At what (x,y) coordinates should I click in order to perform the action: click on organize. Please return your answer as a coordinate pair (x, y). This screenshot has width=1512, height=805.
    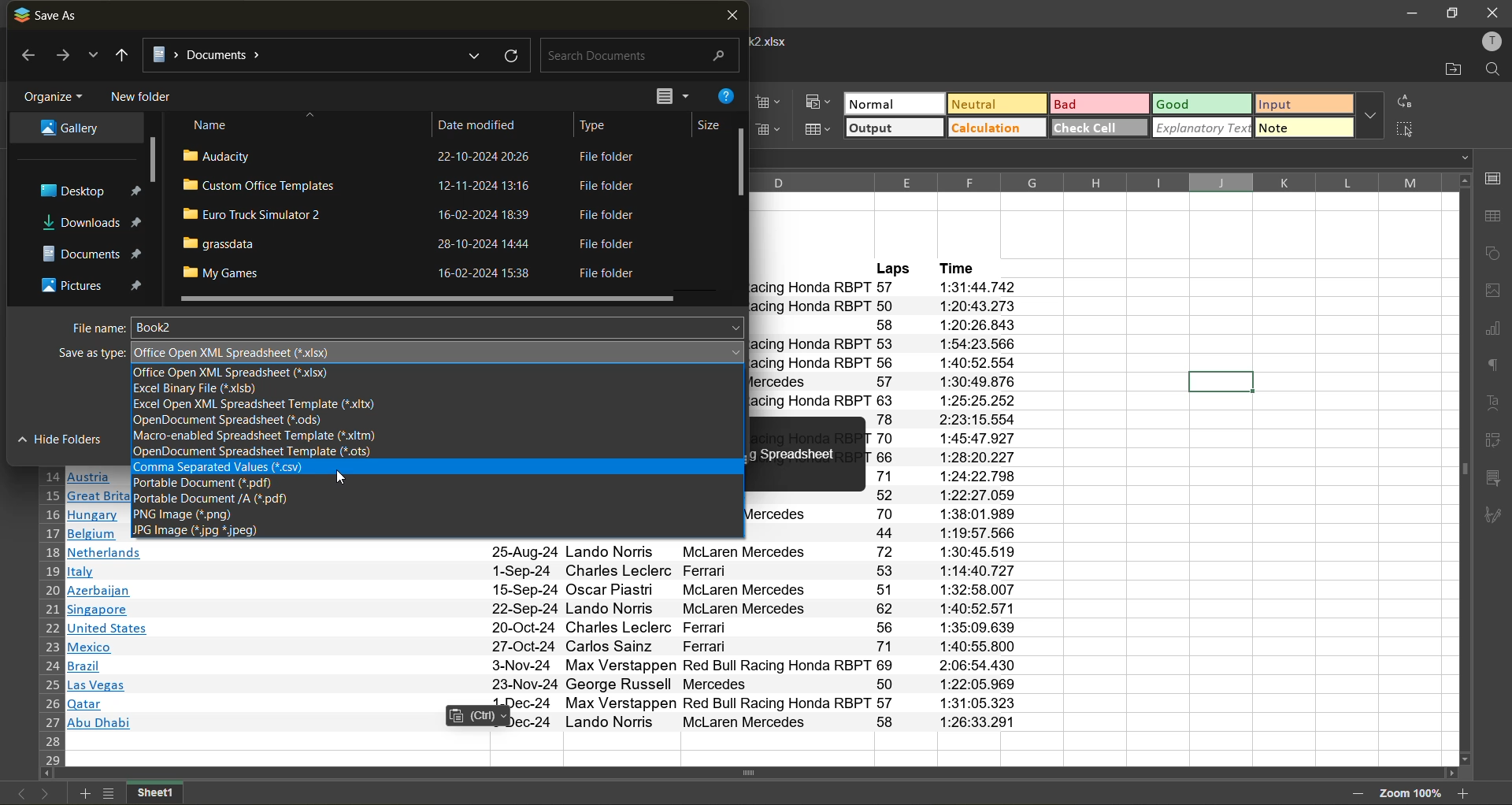
    Looking at the image, I should click on (54, 94).